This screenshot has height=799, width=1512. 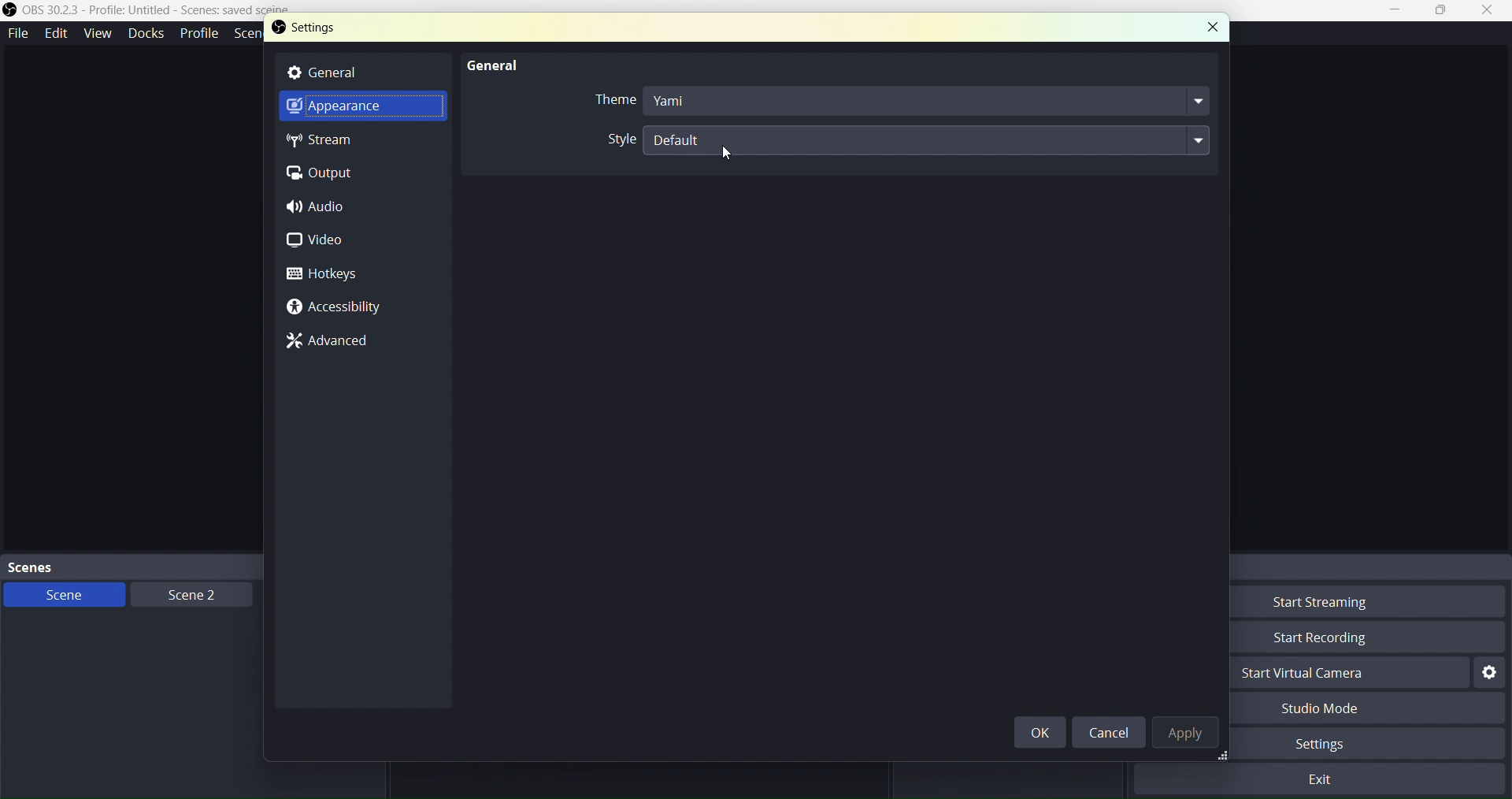 I want to click on Settings, so click(x=1343, y=745).